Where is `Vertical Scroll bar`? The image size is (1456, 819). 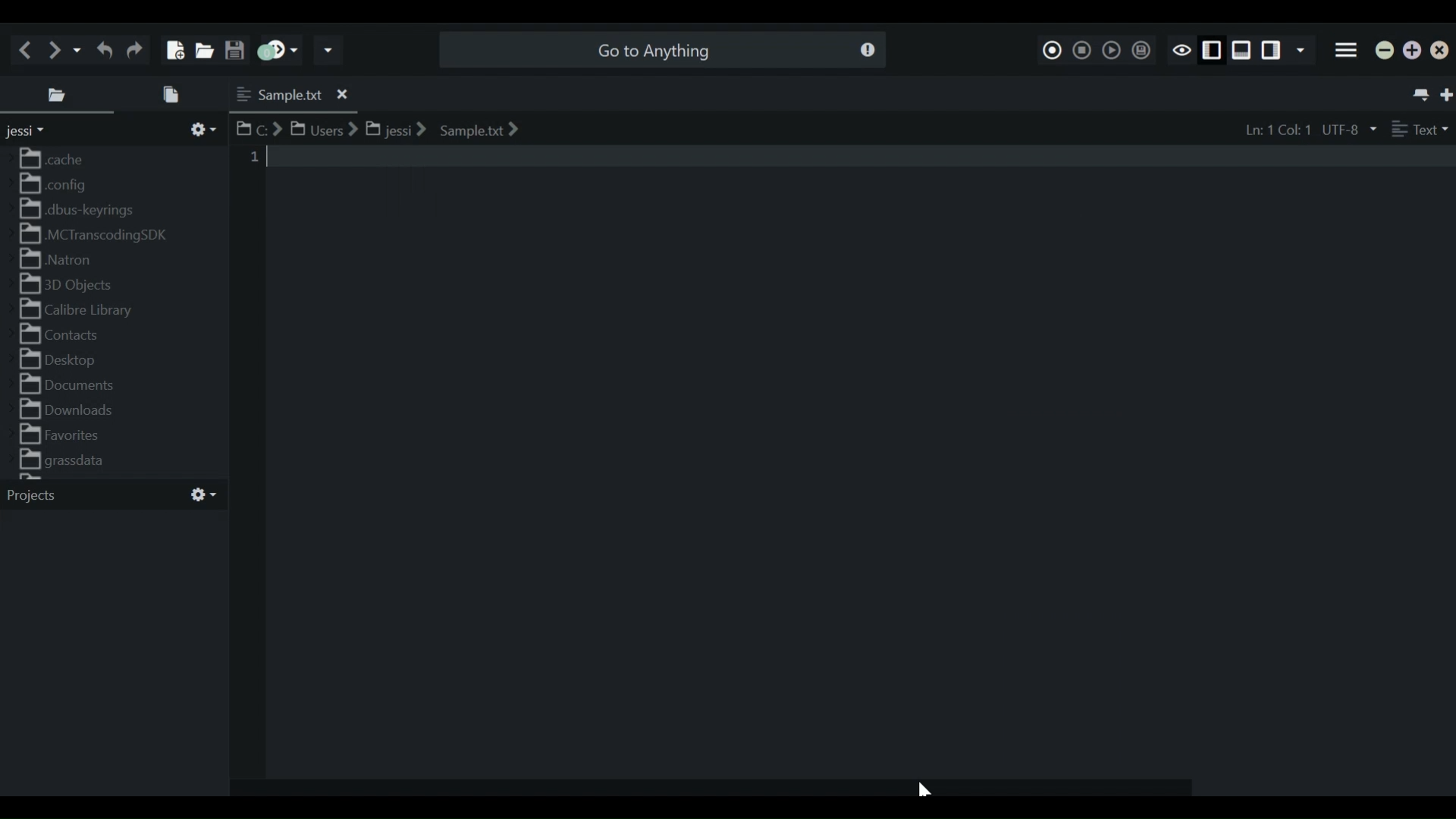
Vertical Scroll bar is located at coordinates (217, 212).